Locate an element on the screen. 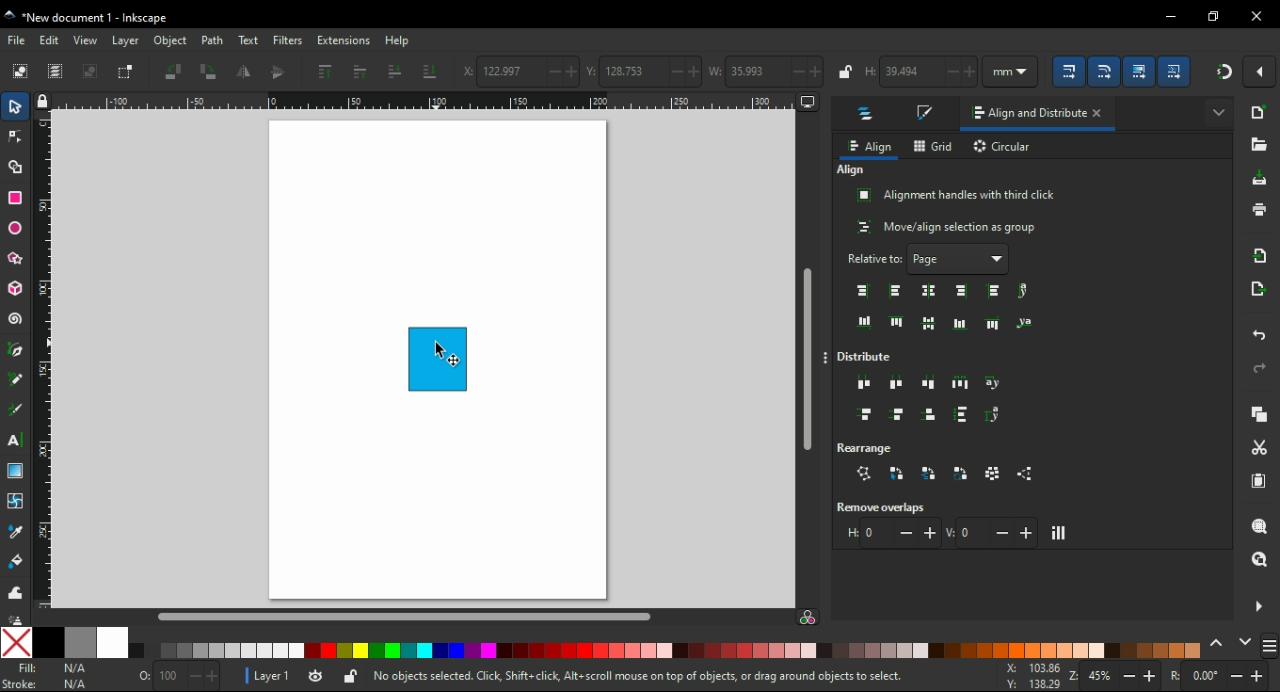 The height and width of the screenshot is (692, 1280). when scaling objects, scale stroke with with the same proportion is located at coordinates (1071, 73).